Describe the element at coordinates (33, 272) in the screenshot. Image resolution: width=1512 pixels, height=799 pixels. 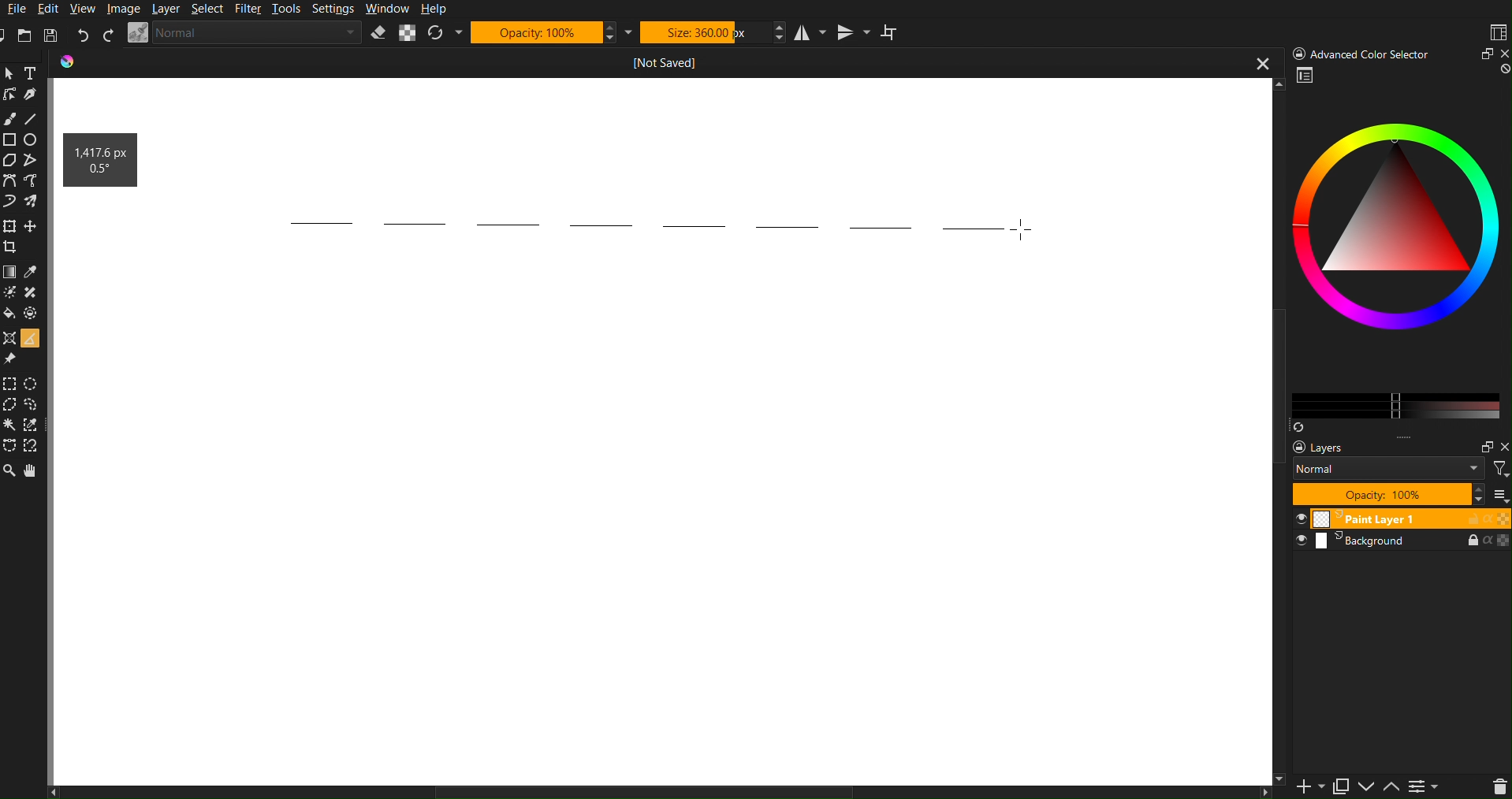
I see `Color Picker` at that location.